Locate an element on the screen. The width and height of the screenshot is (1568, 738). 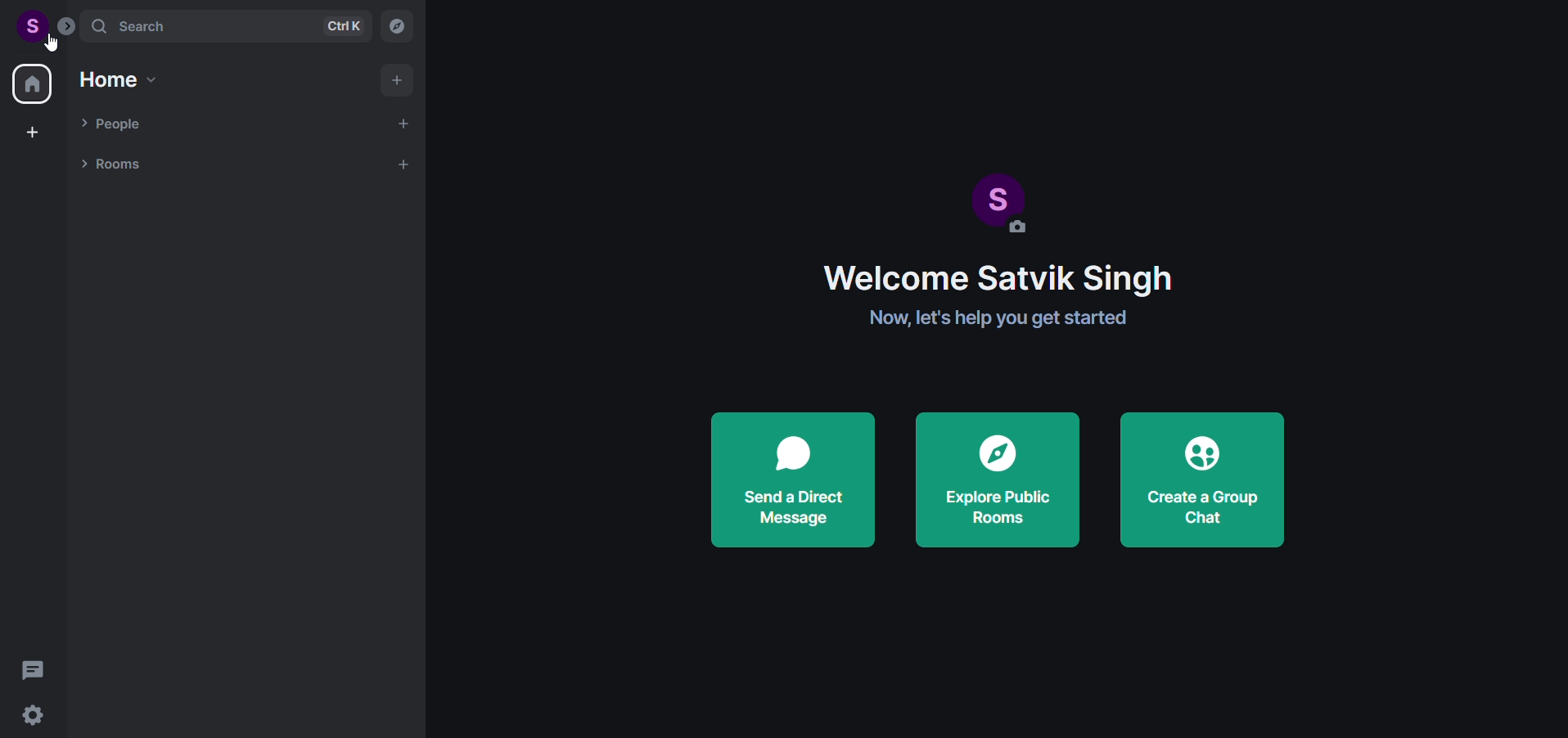
threads is located at coordinates (32, 664).